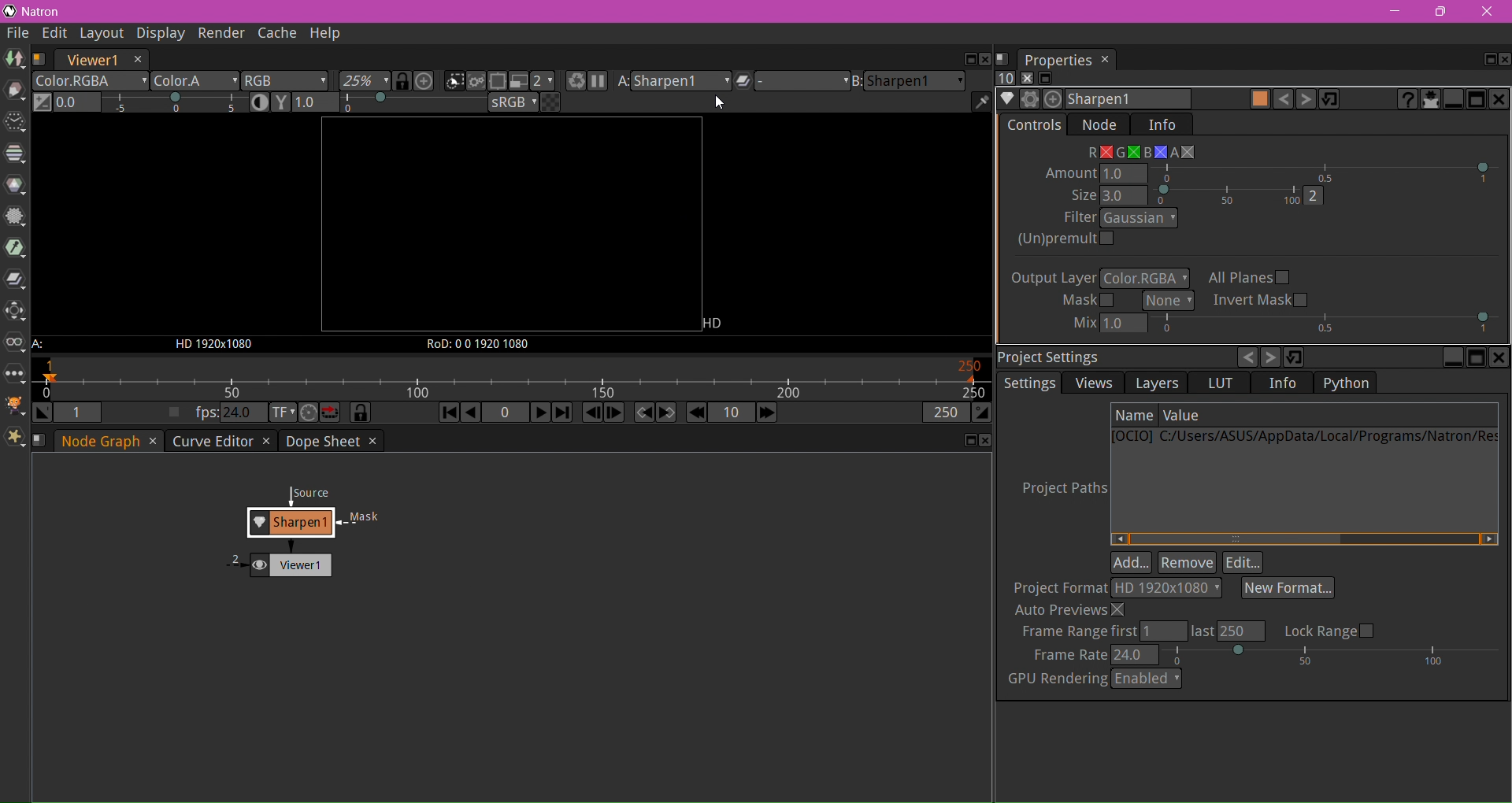 This screenshot has height=803, width=1512. What do you see at coordinates (966, 441) in the screenshot?
I see `Float pane` at bounding box center [966, 441].